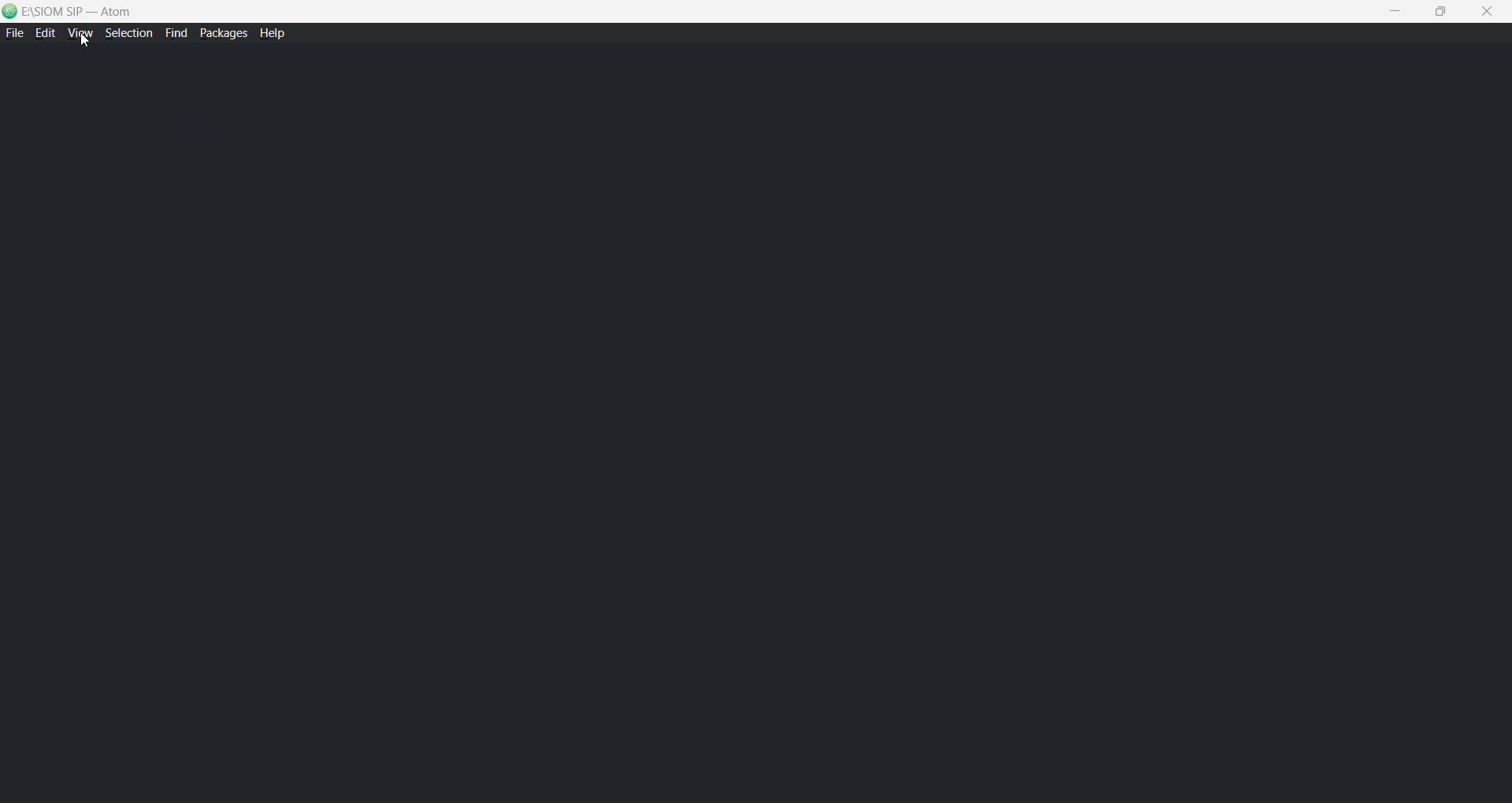 The height and width of the screenshot is (803, 1512). Describe the element at coordinates (14, 34) in the screenshot. I see `file` at that location.